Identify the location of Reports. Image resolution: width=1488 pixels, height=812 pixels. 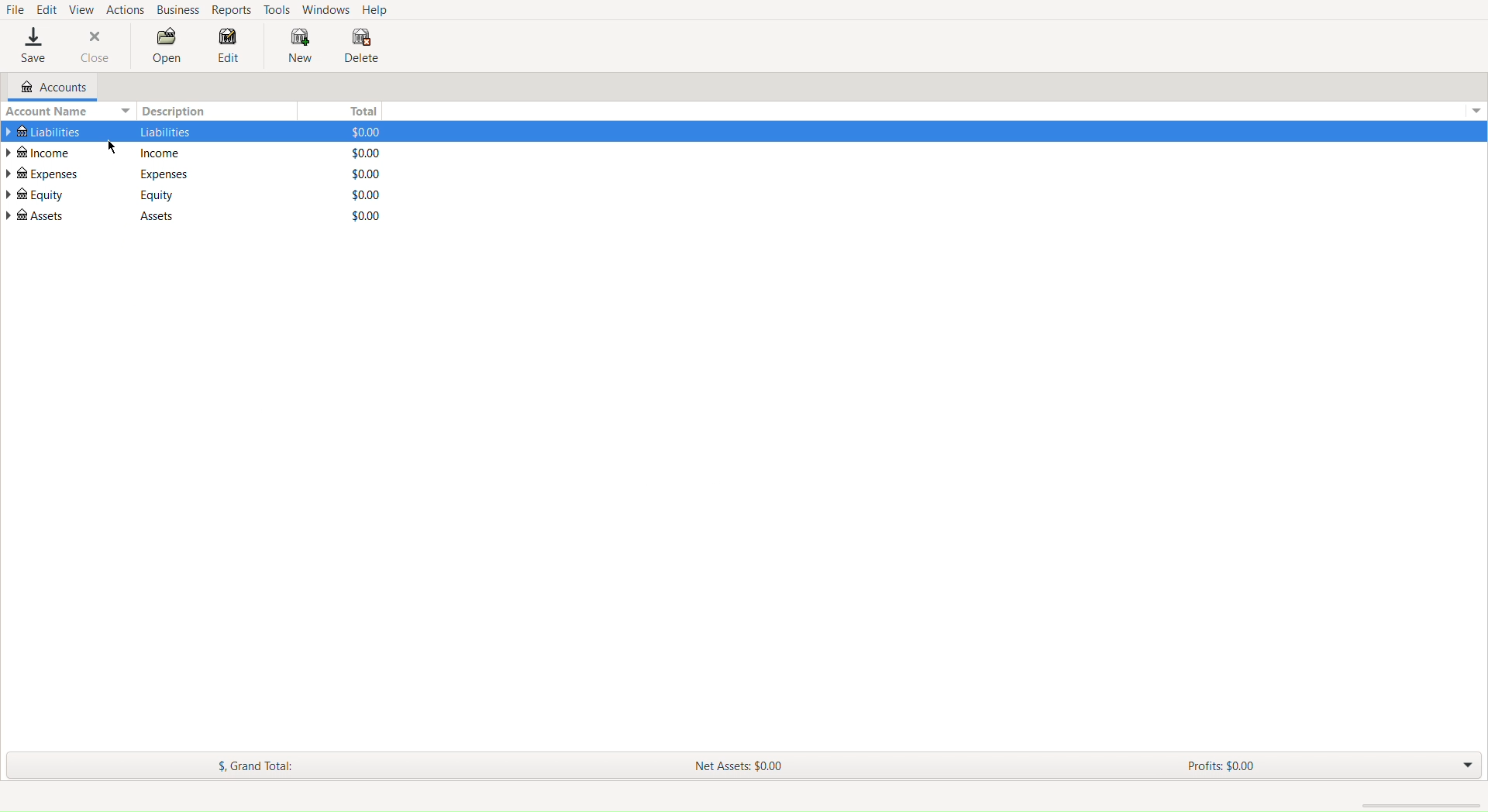
(231, 9).